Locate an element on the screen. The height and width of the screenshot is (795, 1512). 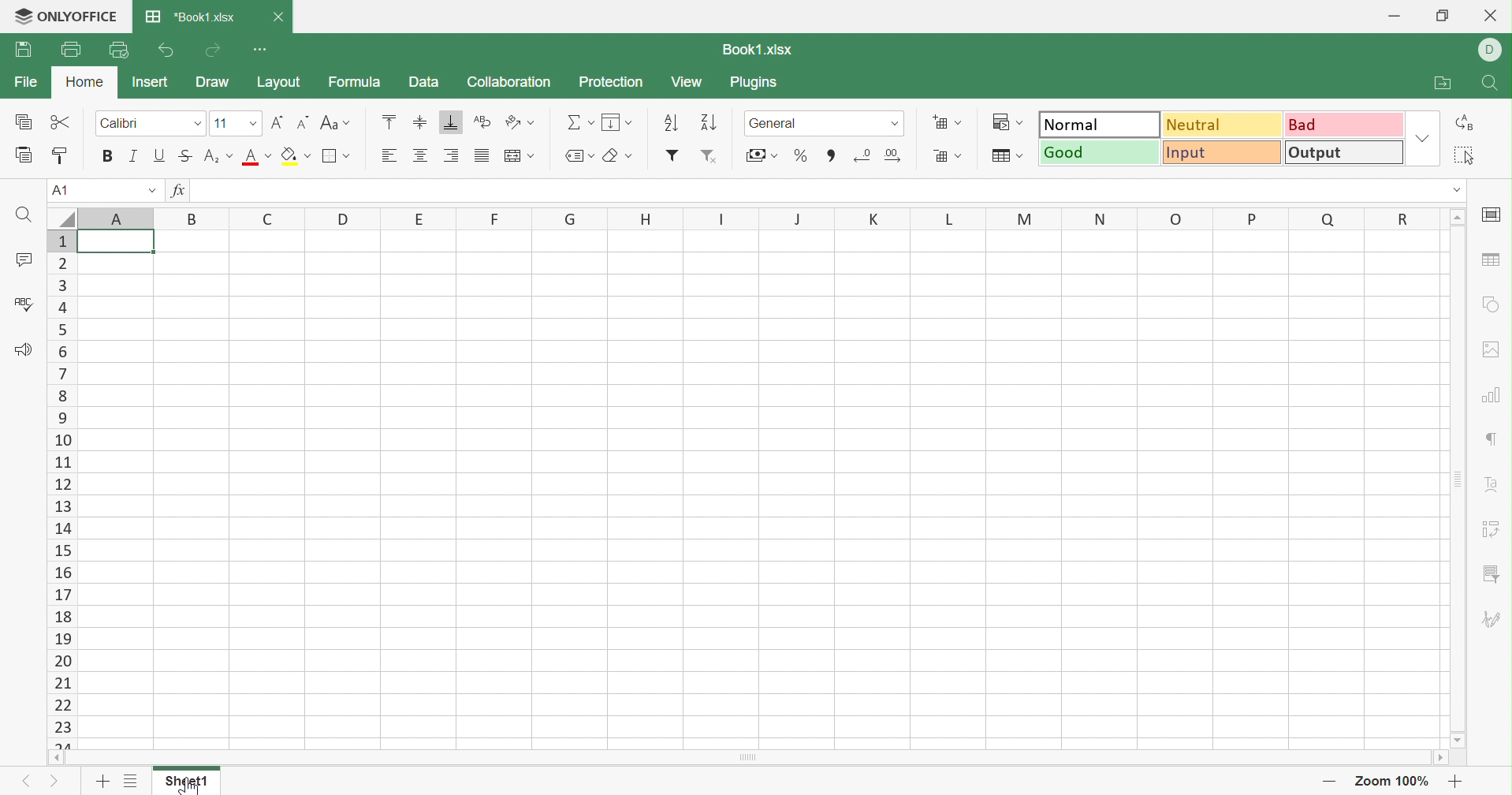
Orientation is located at coordinates (517, 122).